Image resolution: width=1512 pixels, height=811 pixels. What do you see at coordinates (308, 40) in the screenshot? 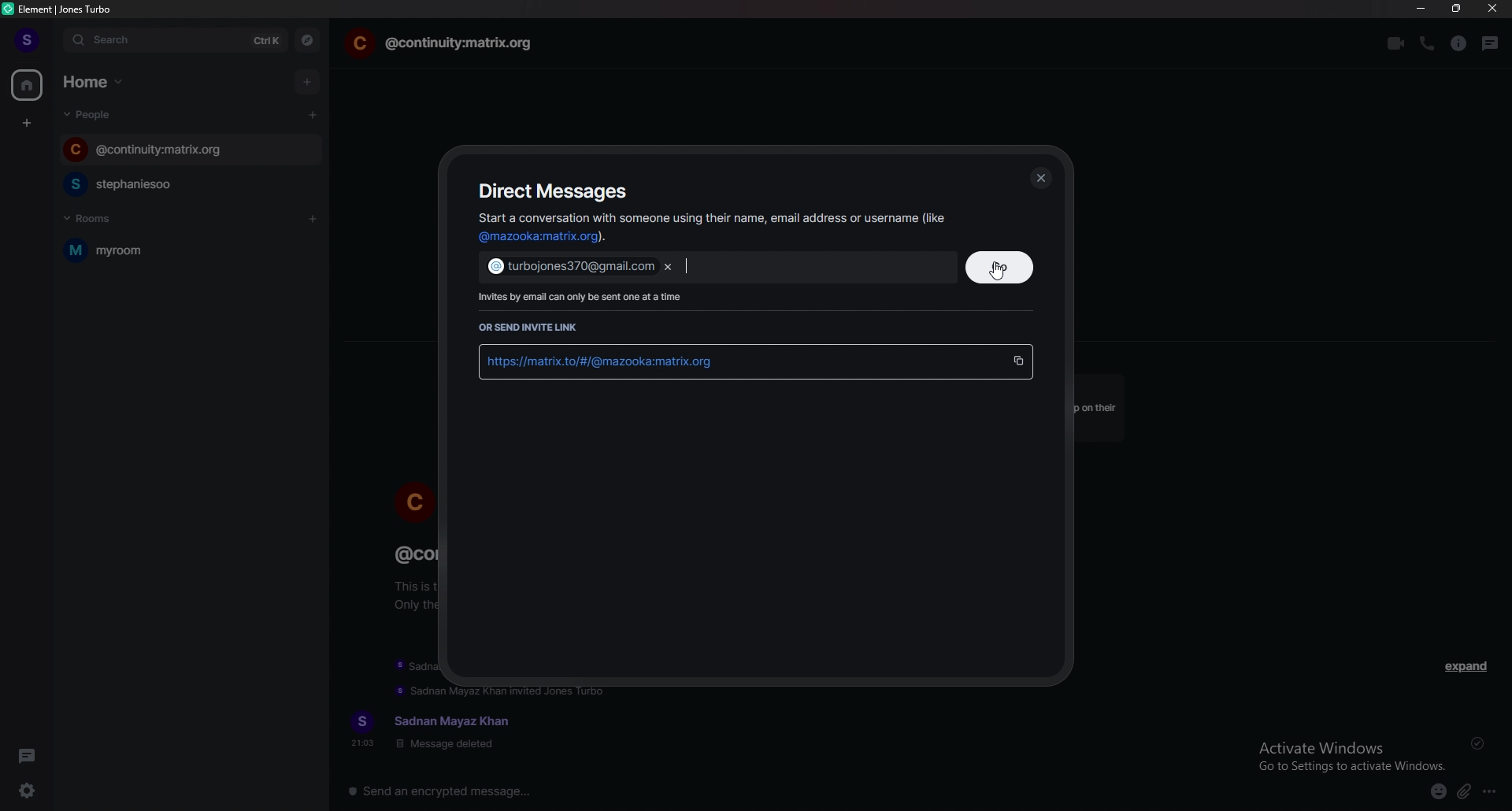
I see `explore rooms` at bounding box center [308, 40].